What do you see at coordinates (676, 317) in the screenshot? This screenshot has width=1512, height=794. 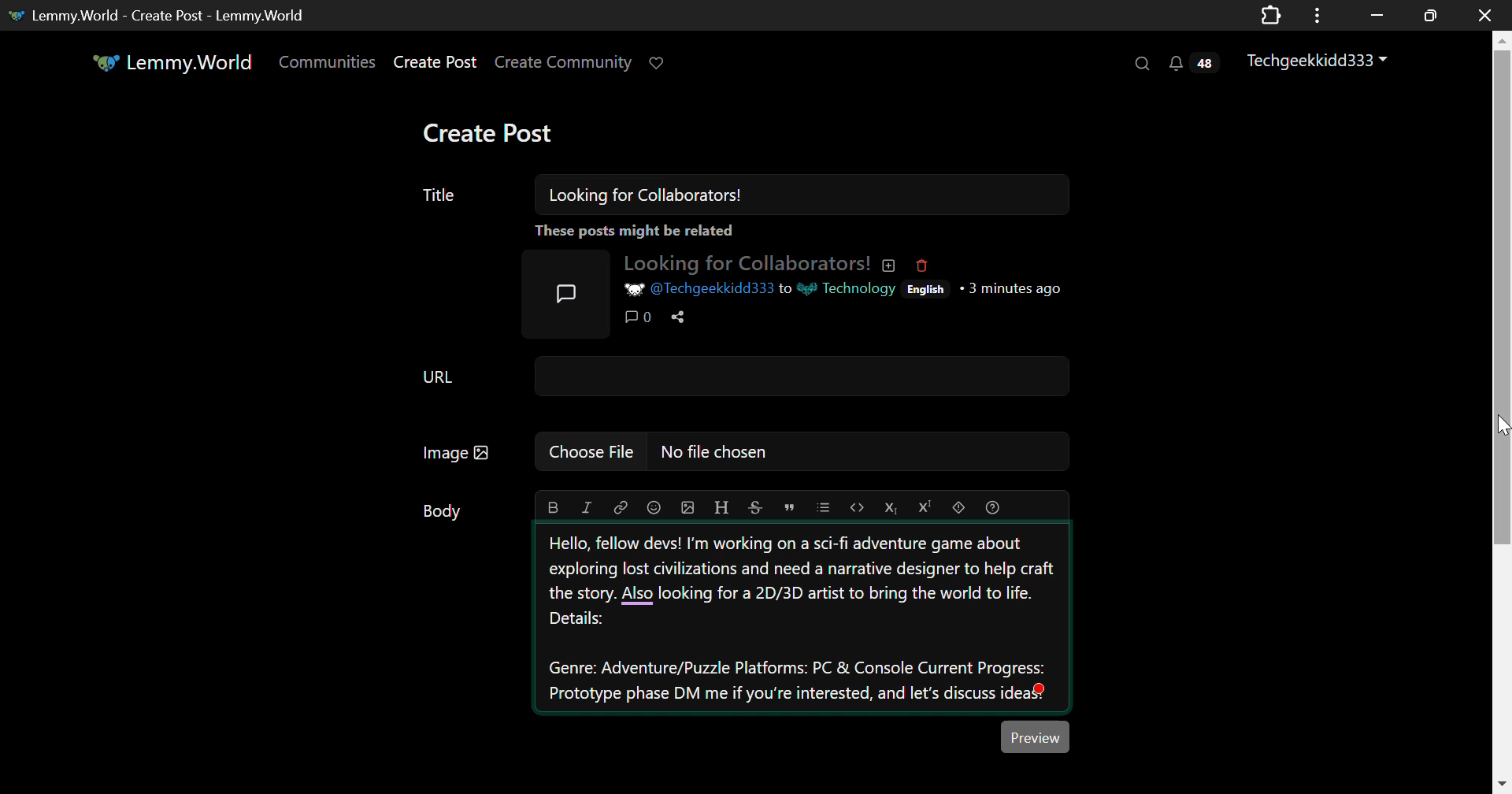 I see `Share` at bounding box center [676, 317].